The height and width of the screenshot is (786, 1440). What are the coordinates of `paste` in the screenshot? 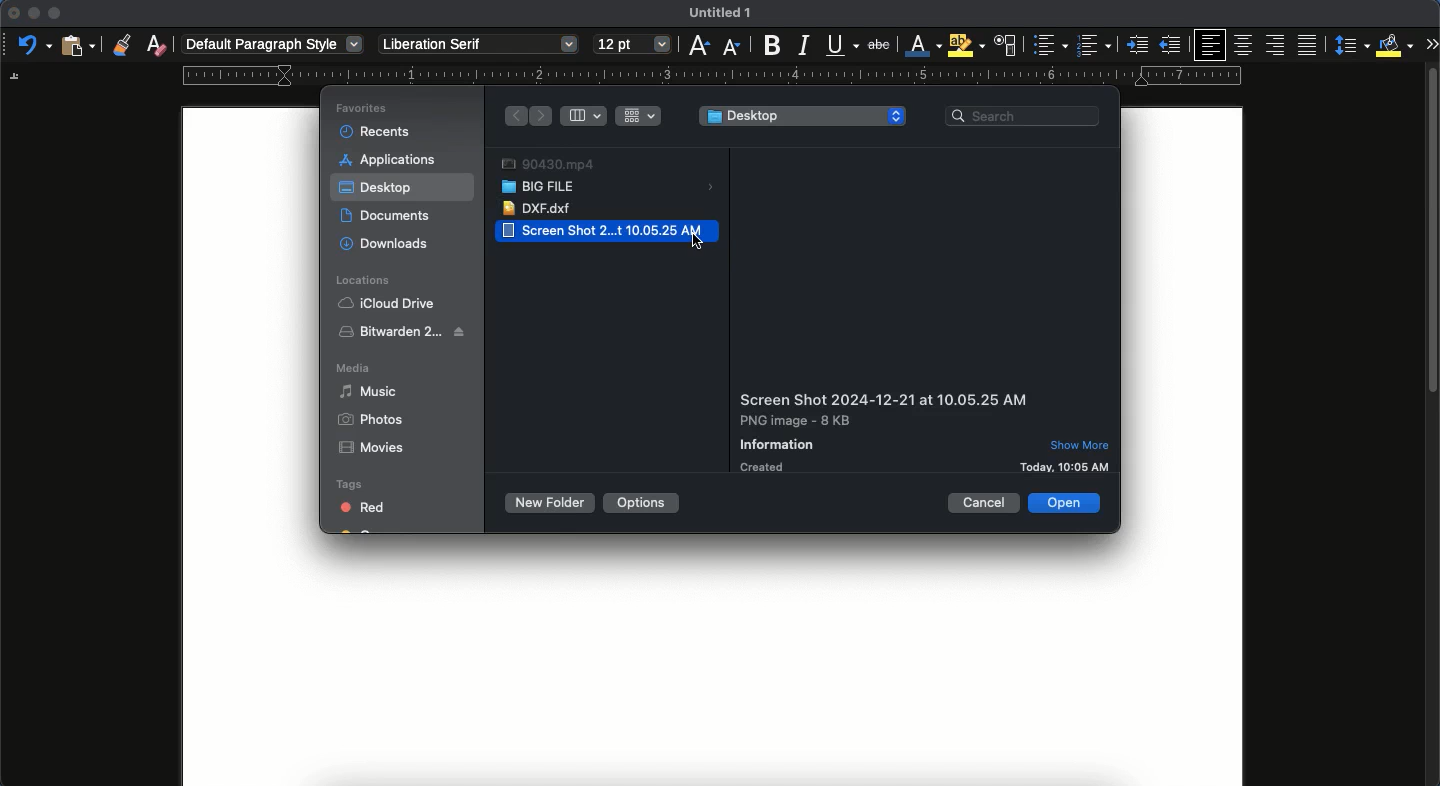 It's located at (77, 47).